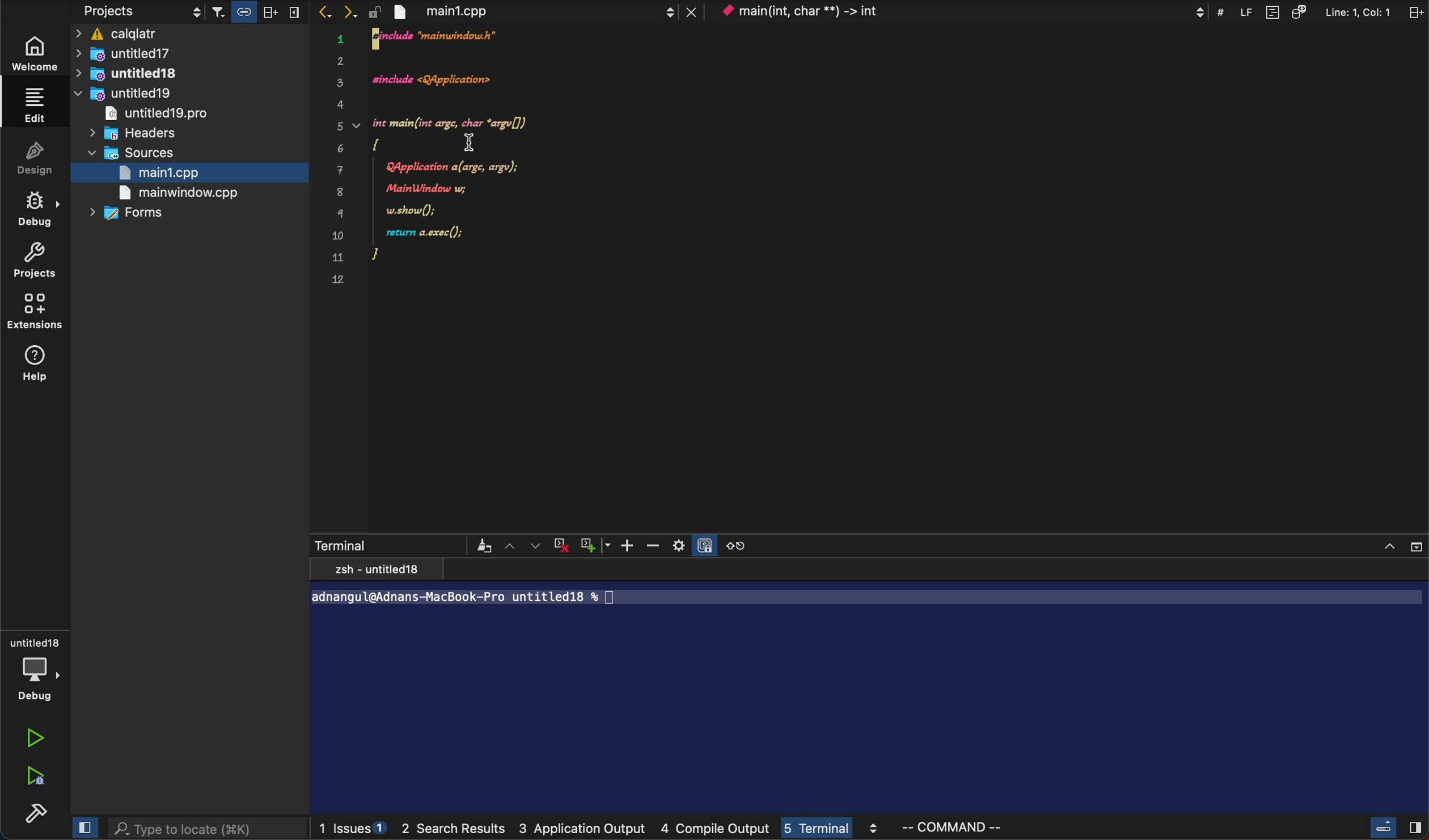  What do you see at coordinates (376, 14) in the screenshot?
I see `lock` at bounding box center [376, 14].